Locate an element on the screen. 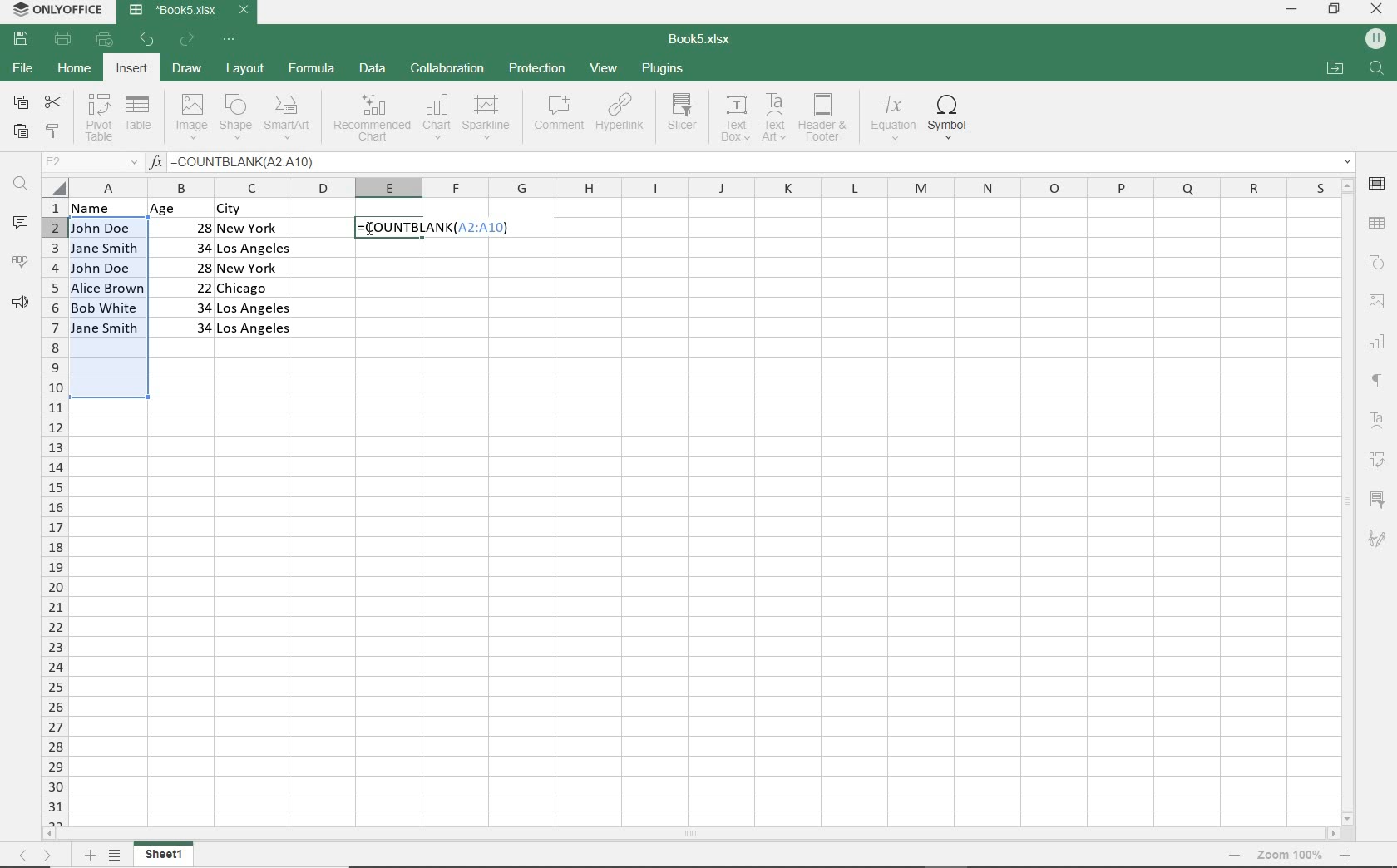 The image size is (1397, 868). 28 is located at coordinates (195, 267).